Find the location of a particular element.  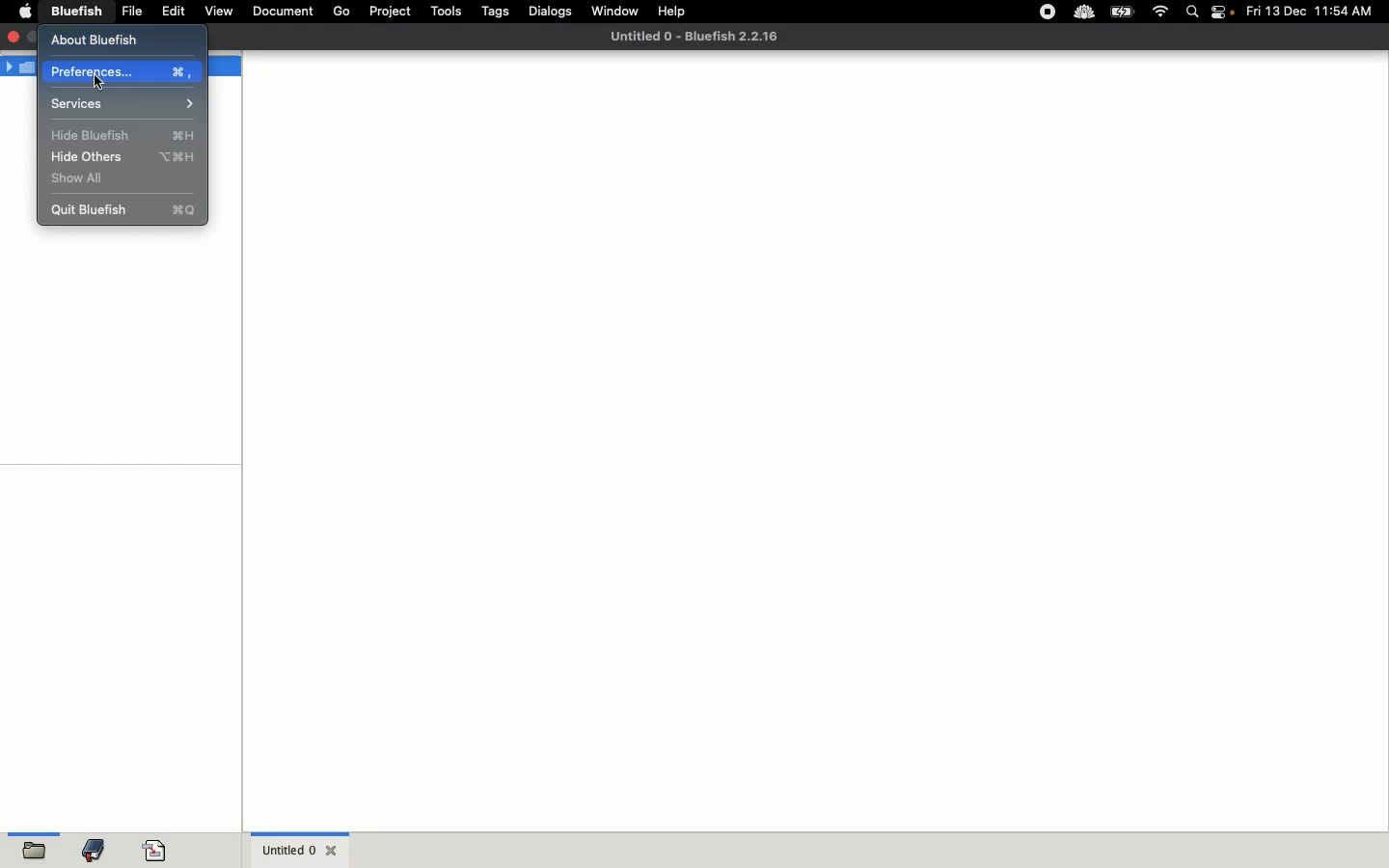

Go is located at coordinates (341, 12).